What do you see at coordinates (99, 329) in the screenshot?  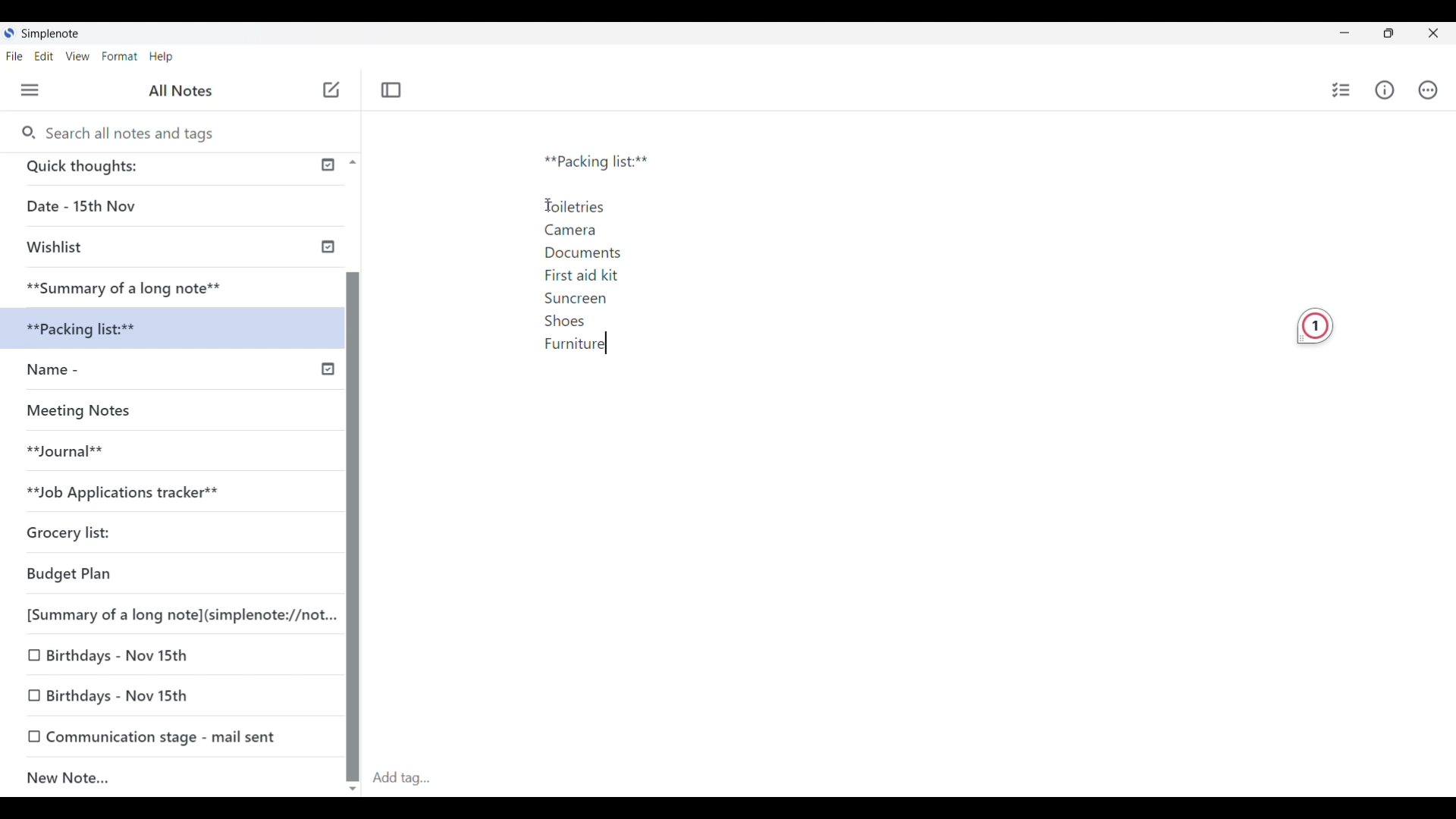 I see `xx
Packi
acking list:**` at bounding box center [99, 329].